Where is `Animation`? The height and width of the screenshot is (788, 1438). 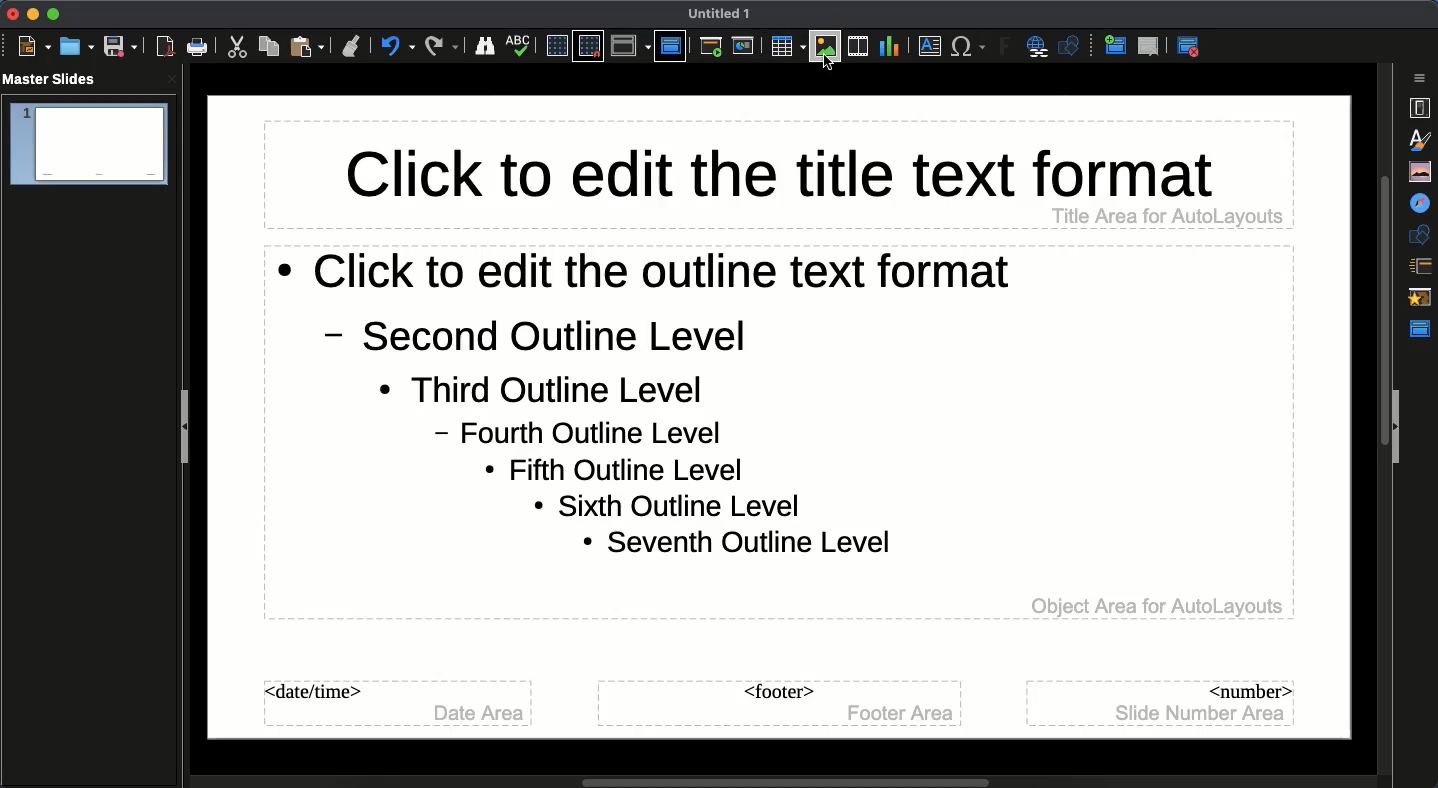
Animation is located at coordinates (1422, 299).